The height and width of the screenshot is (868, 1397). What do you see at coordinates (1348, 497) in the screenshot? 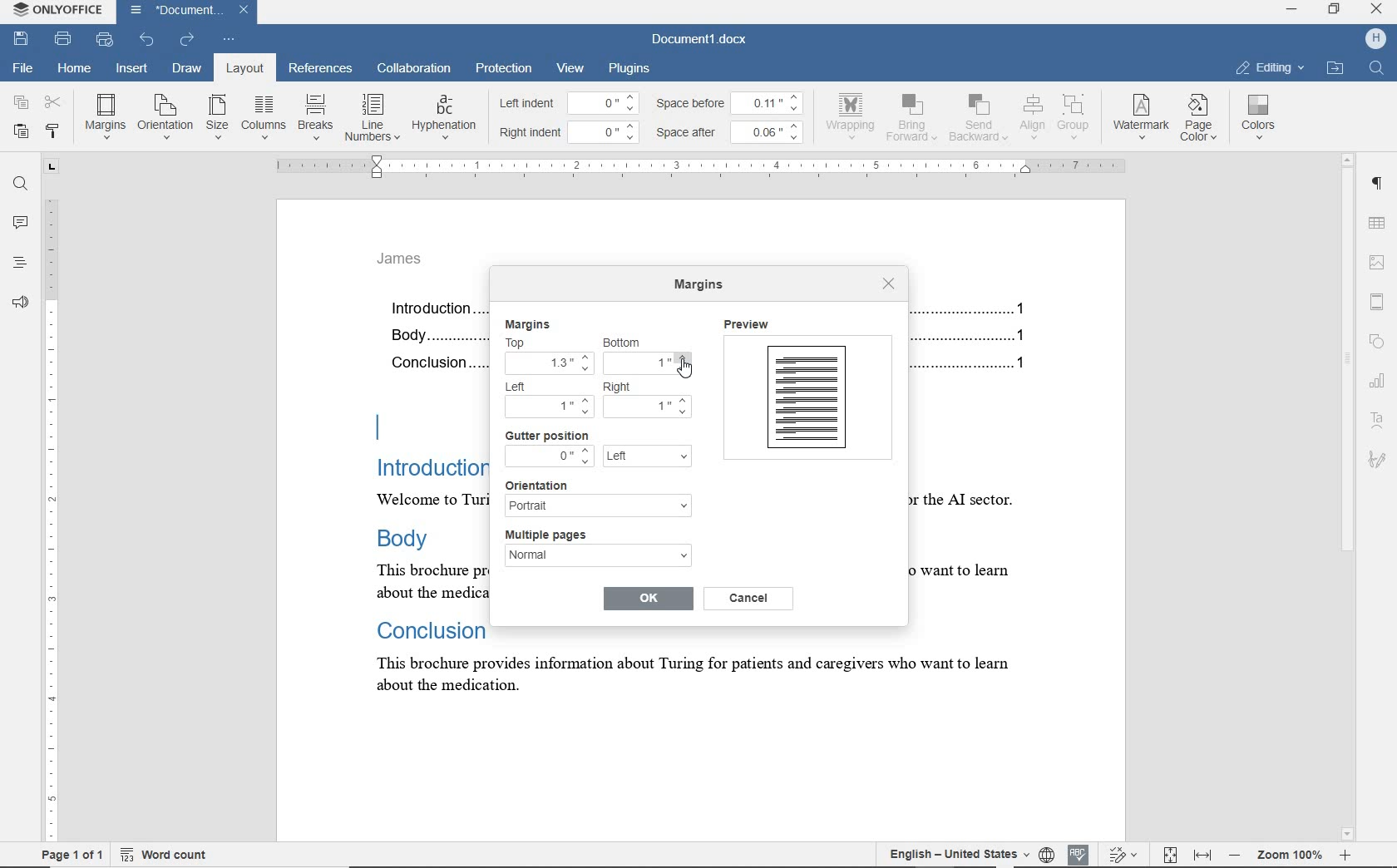
I see `scrollbar` at bounding box center [1348, 497].